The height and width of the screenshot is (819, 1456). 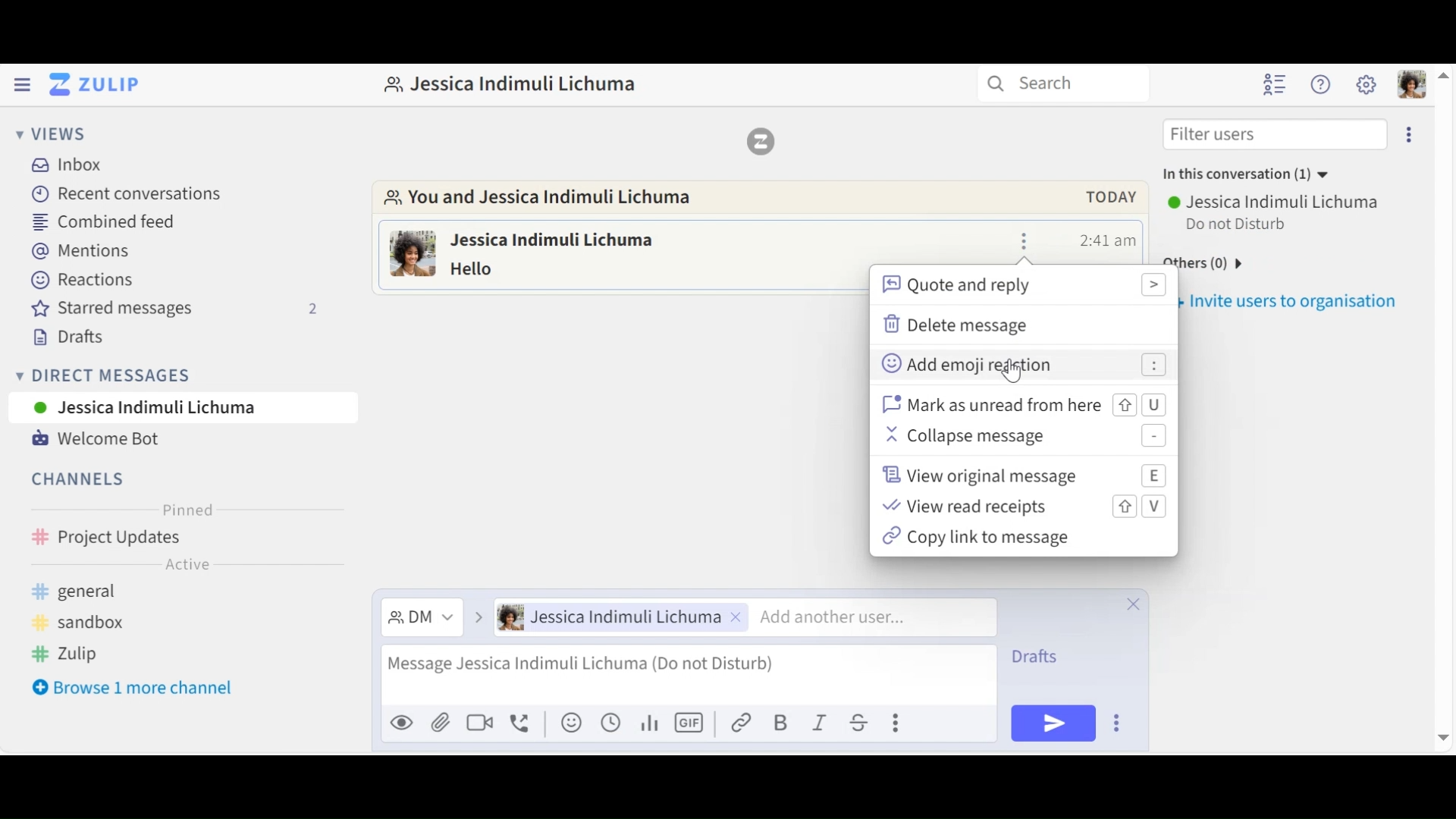 What do you see at coordinates (108, 221) in the screenshot?
I see `Combined Feed` at bounding box center [108, 221].